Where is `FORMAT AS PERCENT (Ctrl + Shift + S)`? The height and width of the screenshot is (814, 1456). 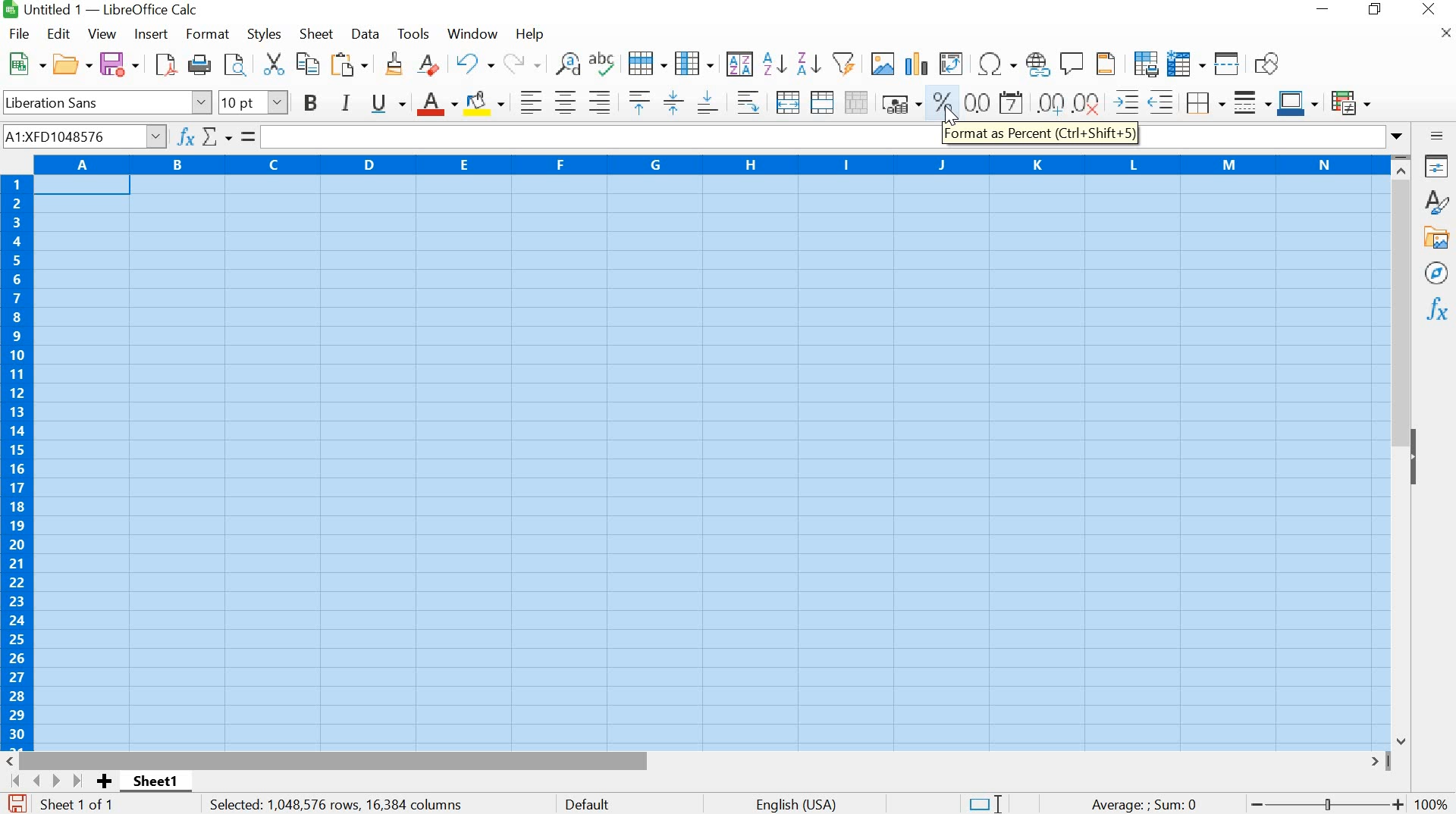
FORMAT AS PERCENT (Ctrl + Shift + S) is located at coordinates (1046, 133).